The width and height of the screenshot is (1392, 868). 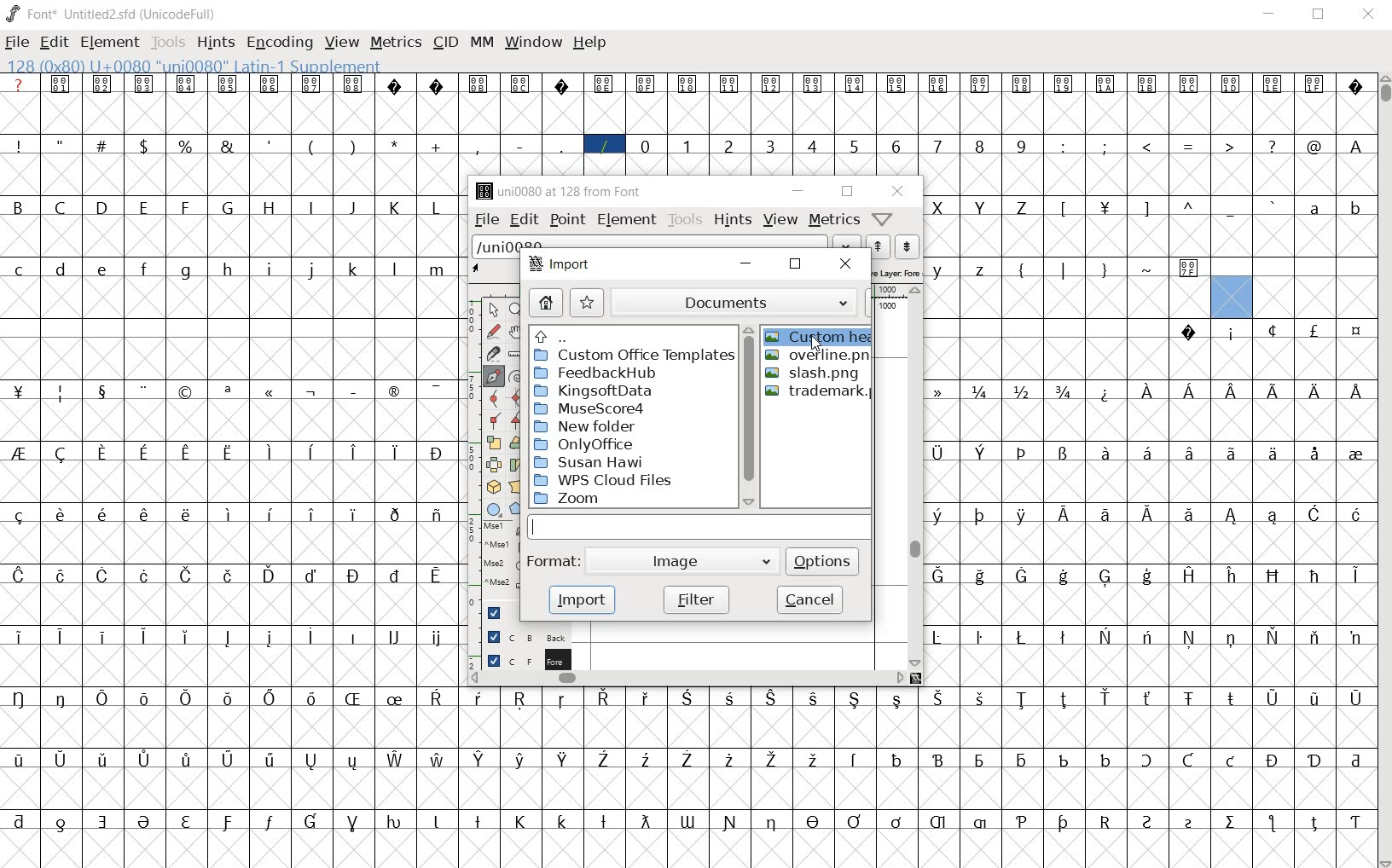 What do you see at coordinates (445, 43) in the screenshot?
I see `CID` at bounding box center [445, 43].